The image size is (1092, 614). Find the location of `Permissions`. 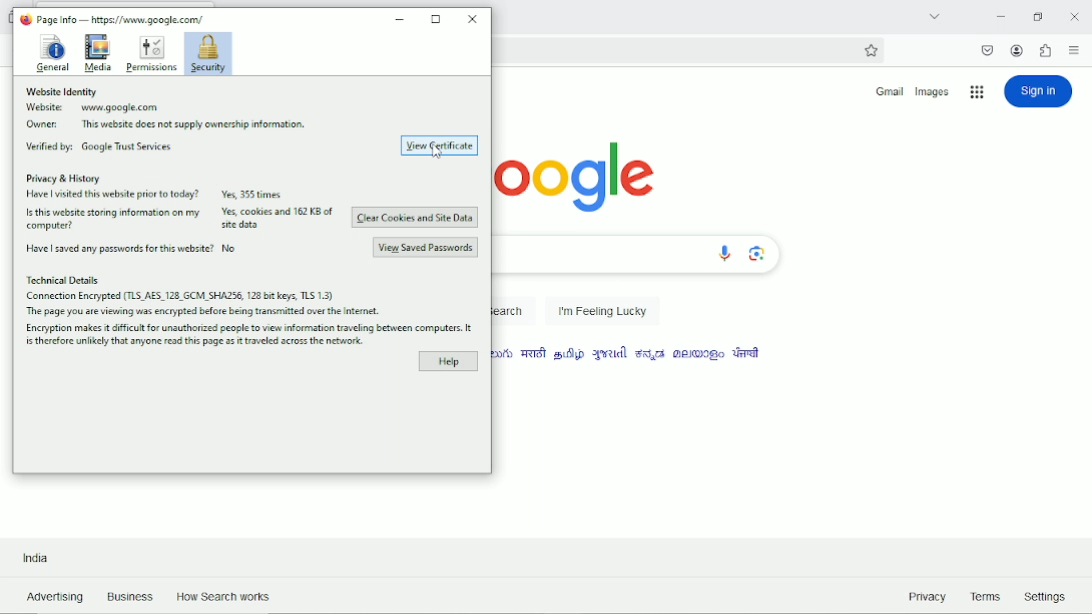

Permissions is located at coordinates (152, 54).